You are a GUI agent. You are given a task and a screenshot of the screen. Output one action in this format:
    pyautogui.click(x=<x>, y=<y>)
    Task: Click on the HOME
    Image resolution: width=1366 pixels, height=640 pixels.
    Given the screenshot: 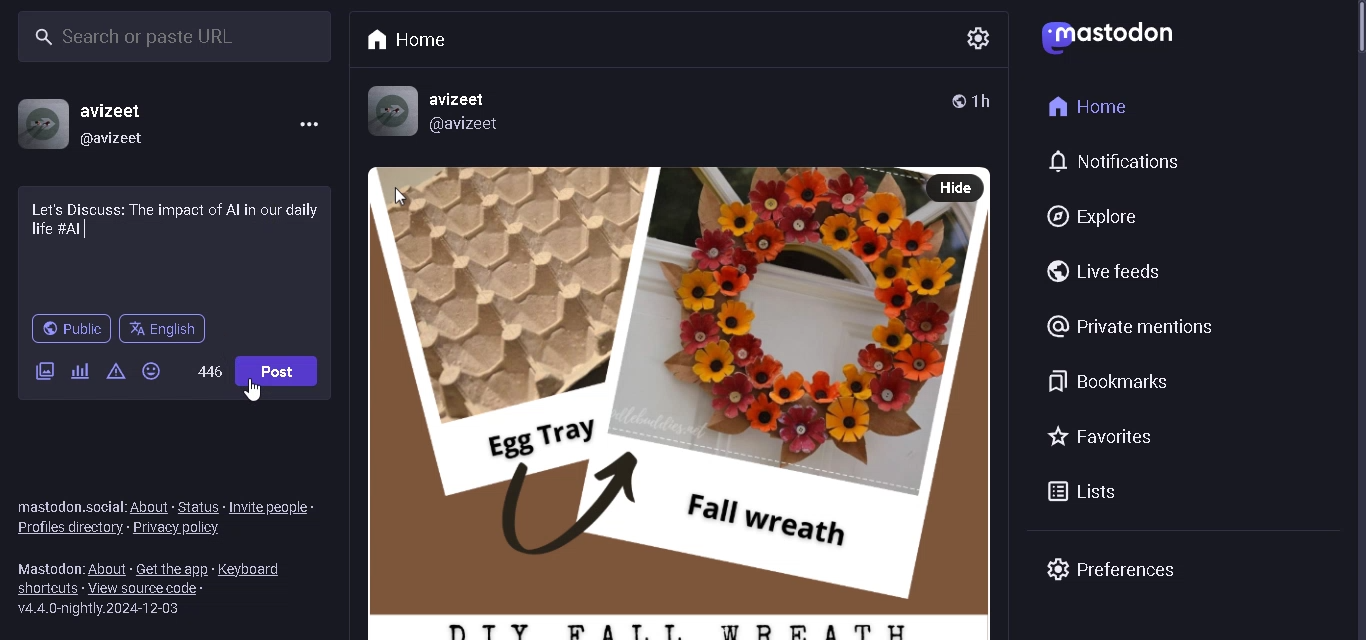 What is the action you would take?
    pyautogui.click(x=424, y=41)
    